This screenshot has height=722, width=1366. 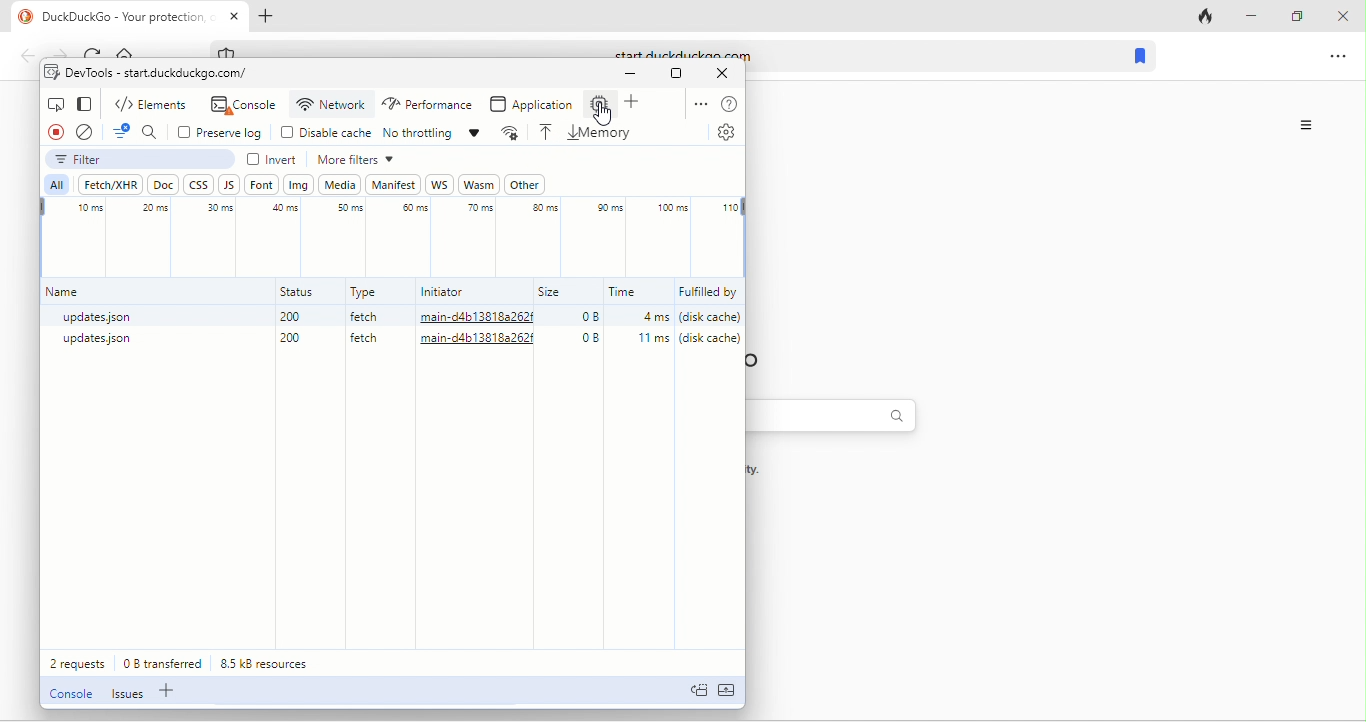 I want to click on 0B, so click(x=588, y=342).